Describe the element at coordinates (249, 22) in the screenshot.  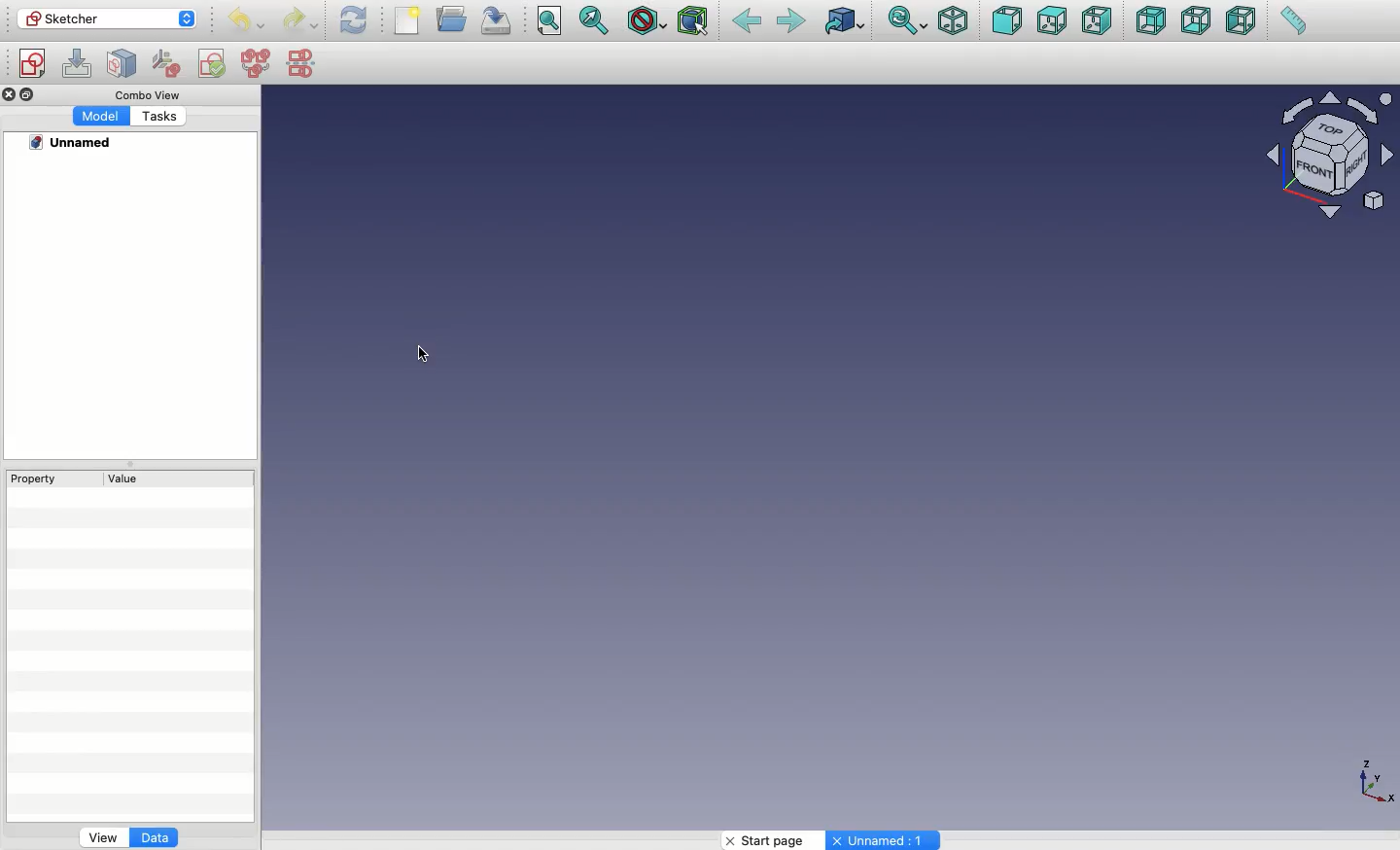
I see `Undo` at that location.